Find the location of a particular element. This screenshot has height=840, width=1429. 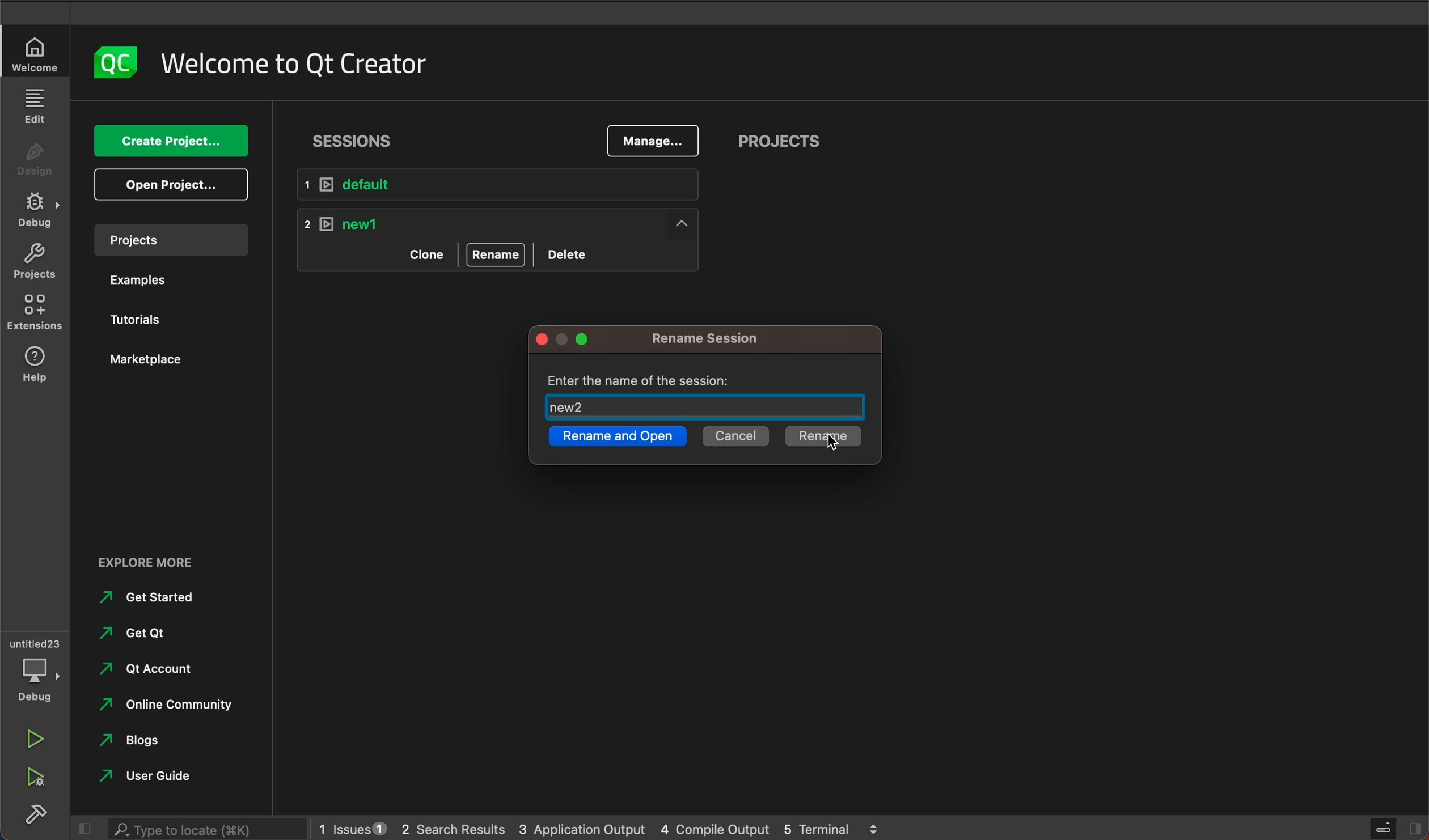

MANAGE is located at coordinates (652, 142).